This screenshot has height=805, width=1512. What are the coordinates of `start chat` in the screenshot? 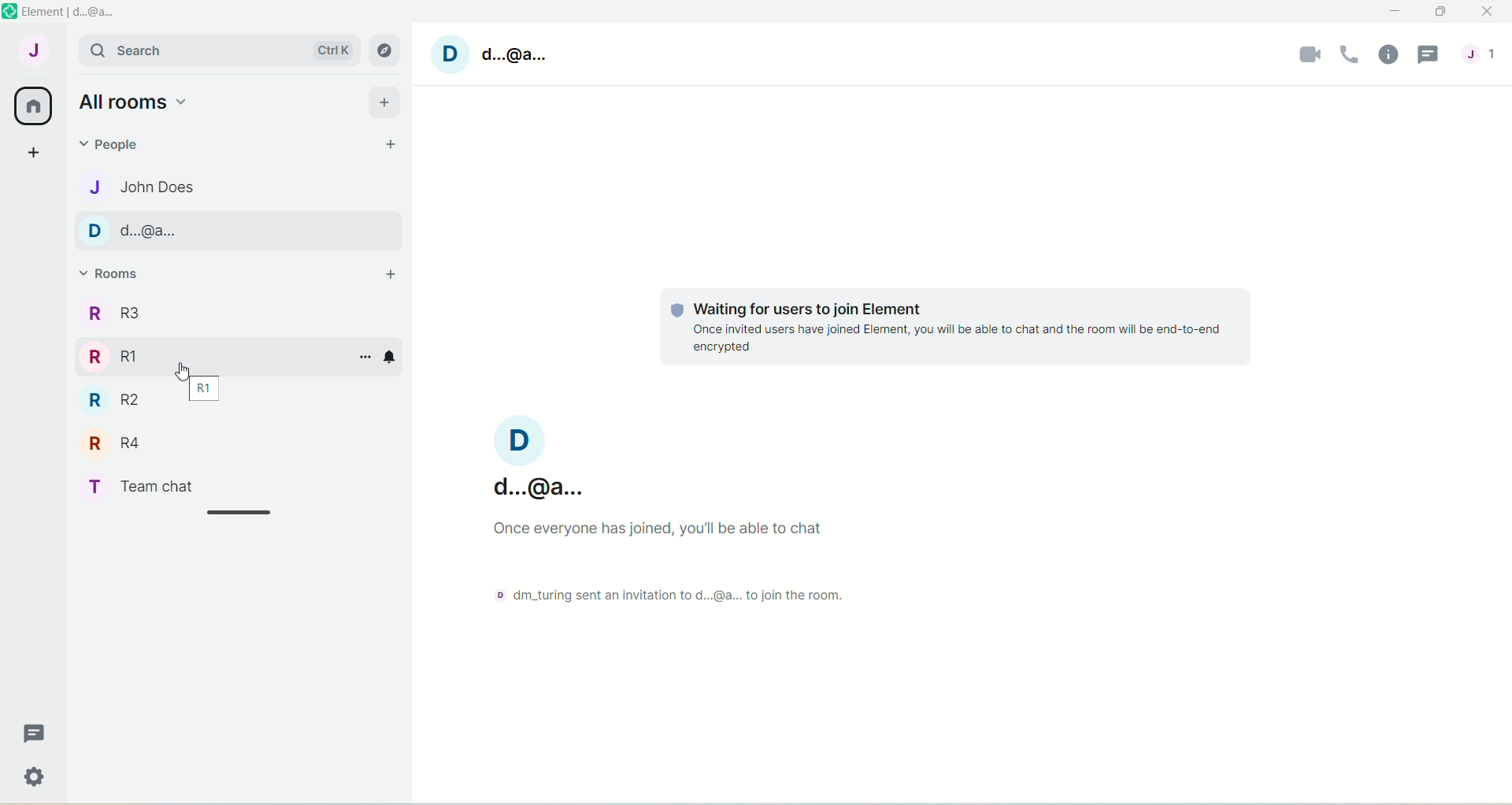 It's located at (393, 143).